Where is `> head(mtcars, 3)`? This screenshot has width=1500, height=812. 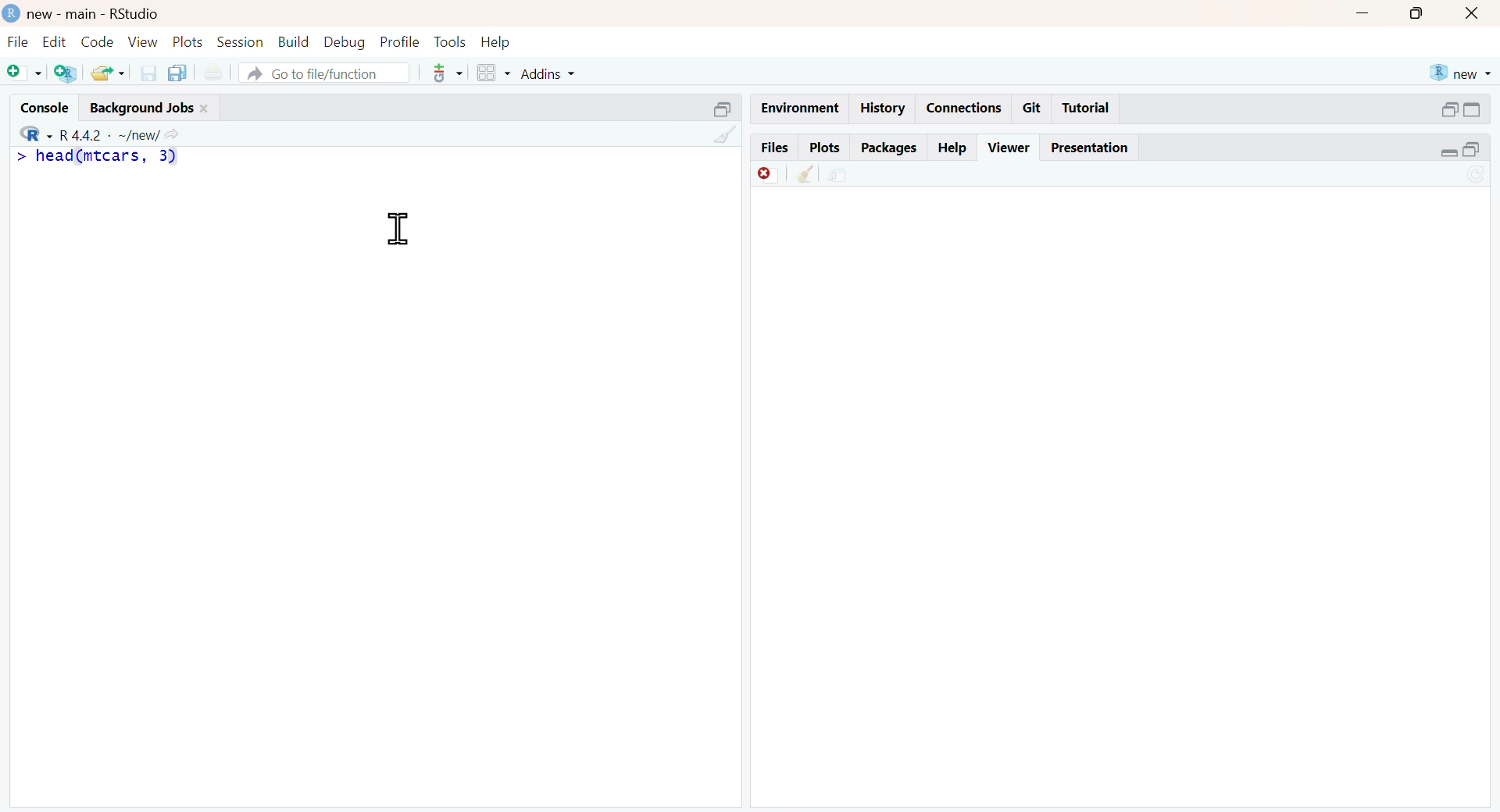 > head(mtcars, 3) is located at coordinates (109, 157).